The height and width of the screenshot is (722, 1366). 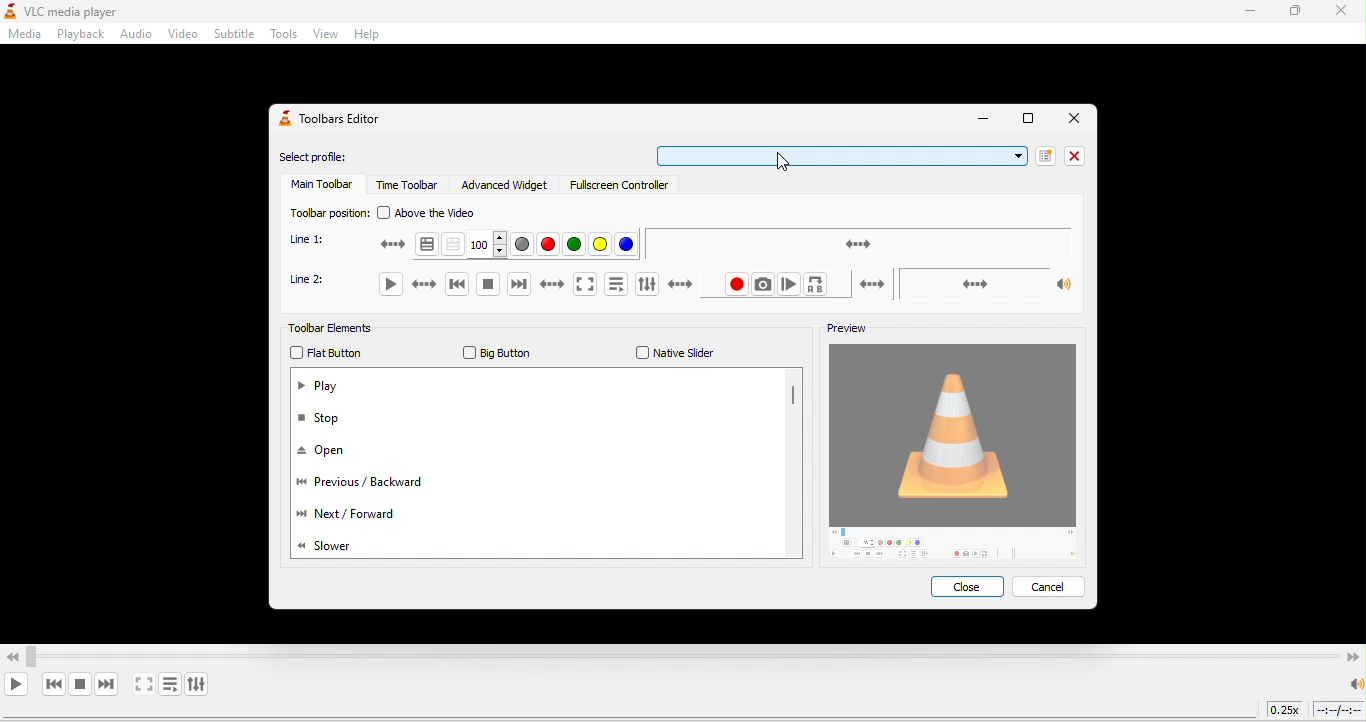 I want to click on synchronization settings, so click(x=858, y=242).